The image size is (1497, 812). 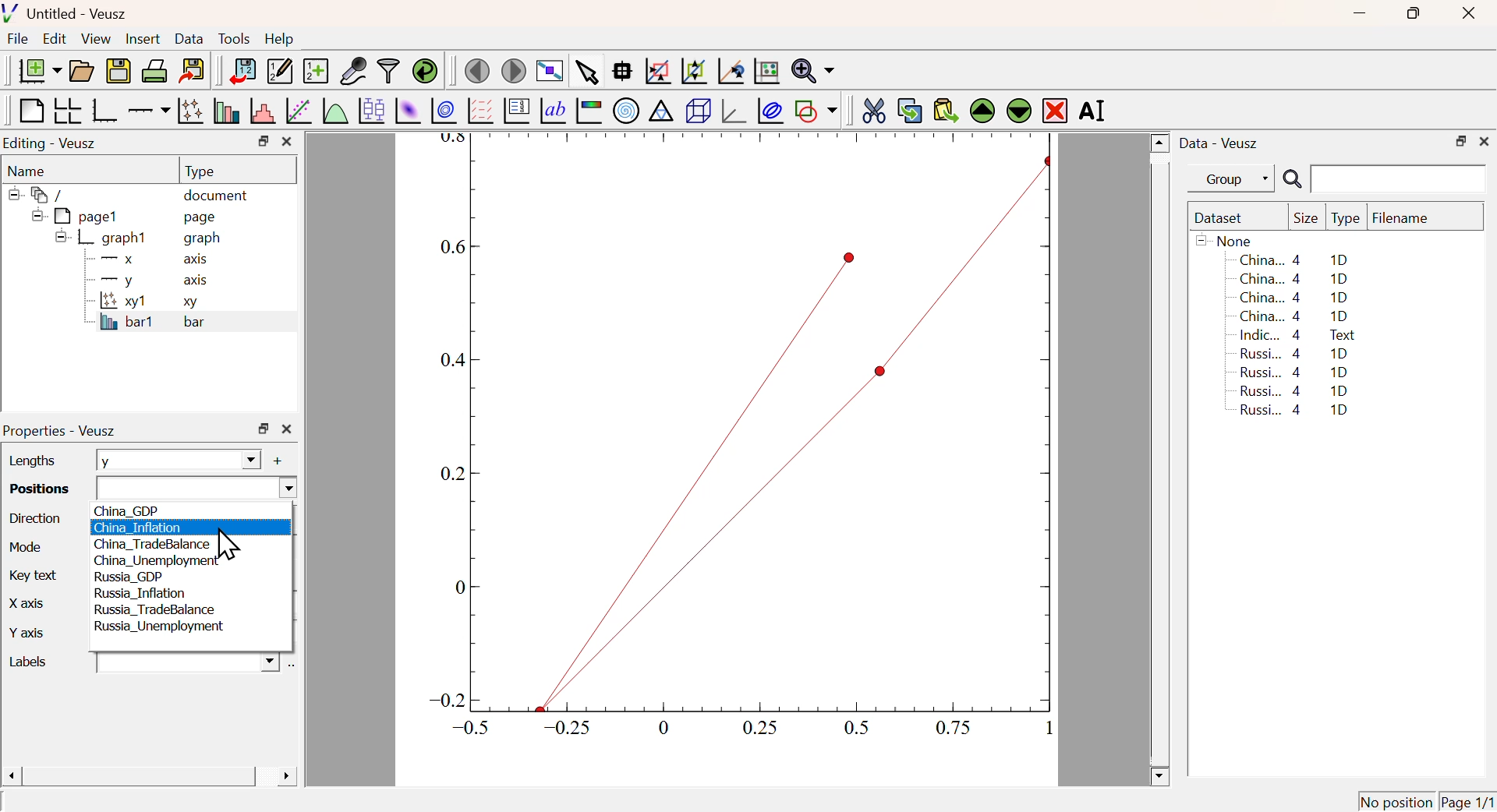 What do you see at coordinates (154, 610) in the screenshot?
I see `Russia_TradeBalance` at bounding box center [154, 610].